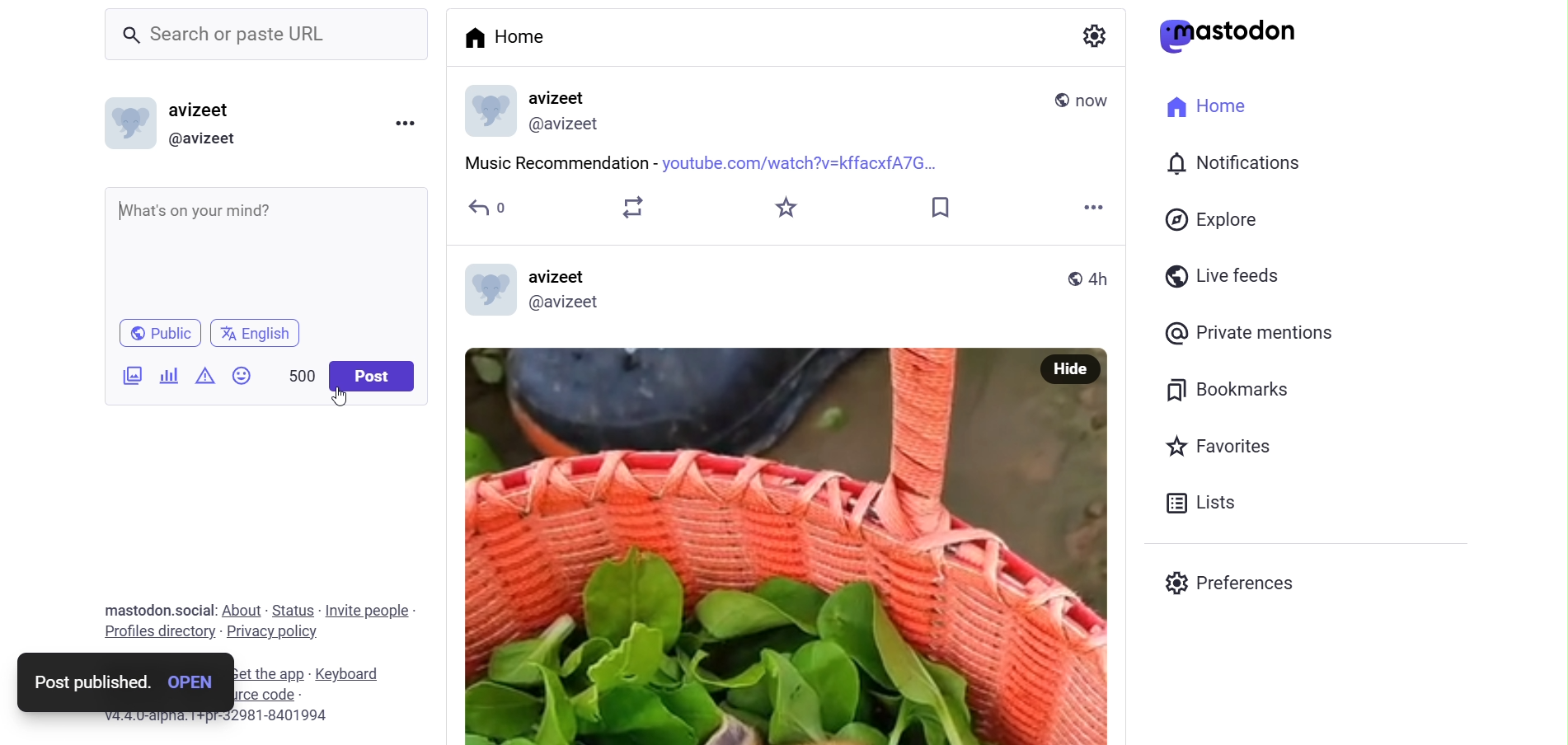 This screenshot has height=745, width=1568. Describe the element at coordinates (1091, 210) in the screenshot. I see `more` at that location.